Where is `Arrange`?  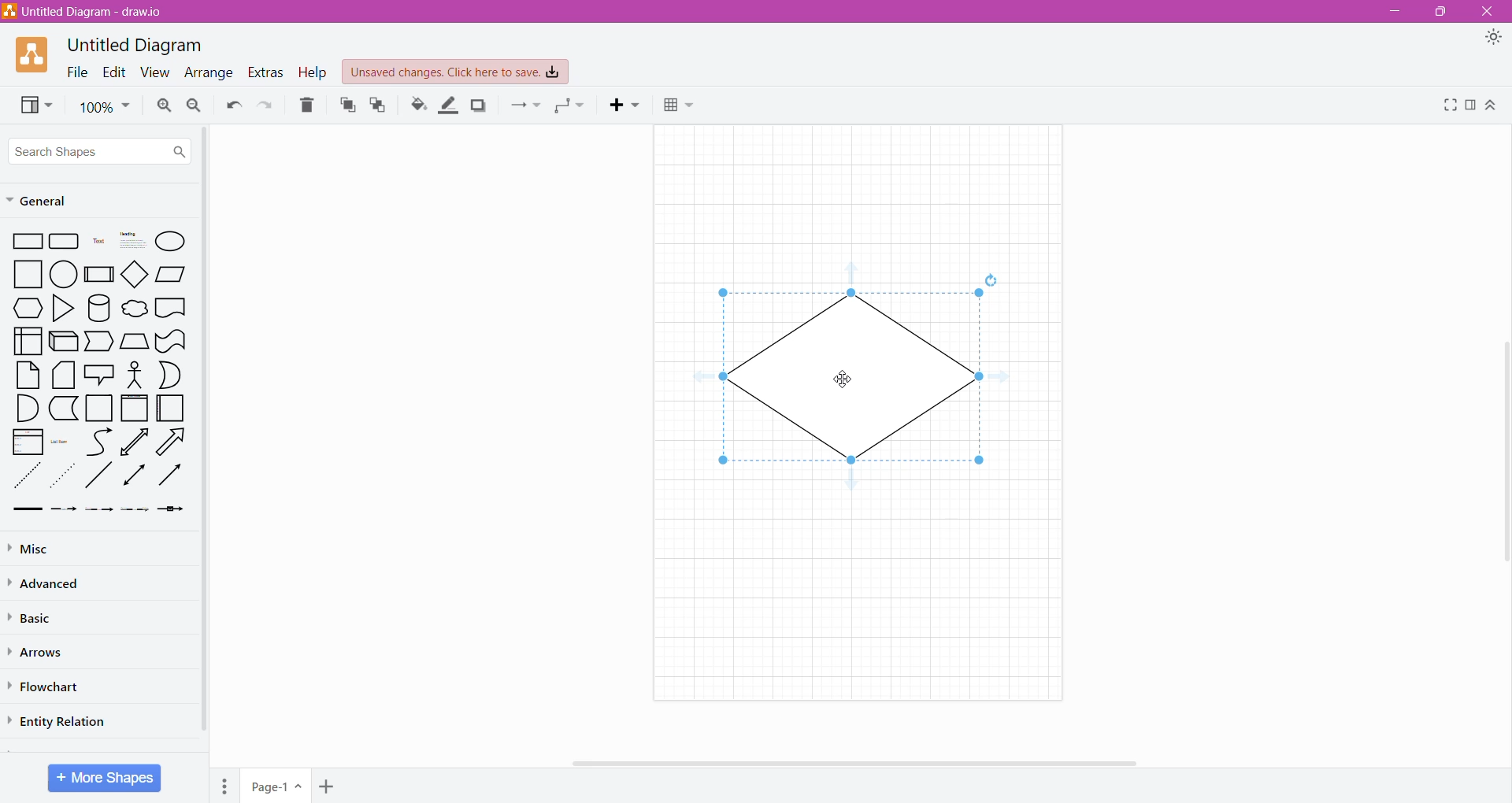 Arrange is located at coordinates (209, 74).